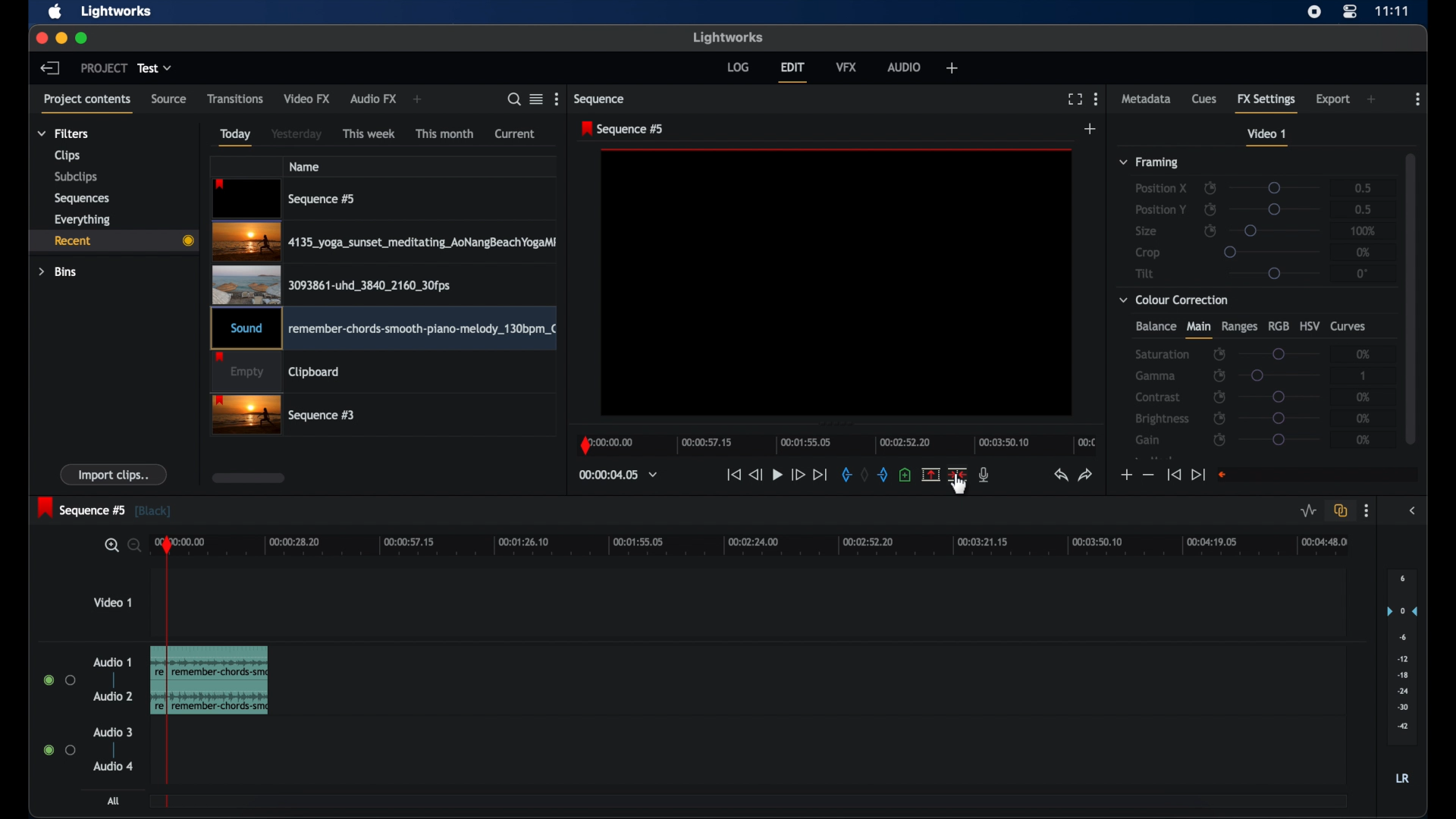 The width and height of the screenshot is (1456, 819). I want to click on timeline , so click(836, 446).